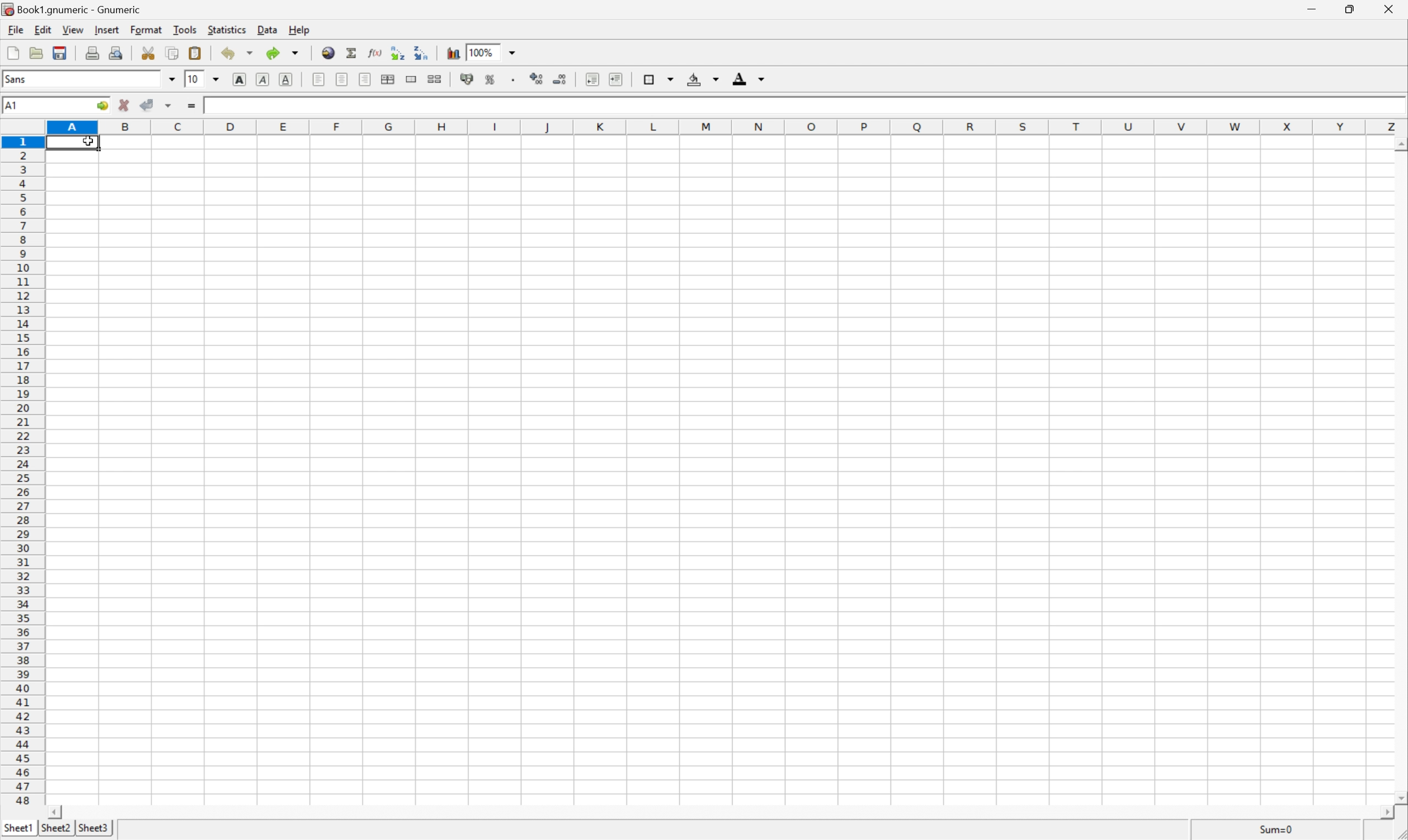 The image size is (1408, 840). Describe the element at coordinates (184, 31) in the screenshot. I see `tools` at that location.